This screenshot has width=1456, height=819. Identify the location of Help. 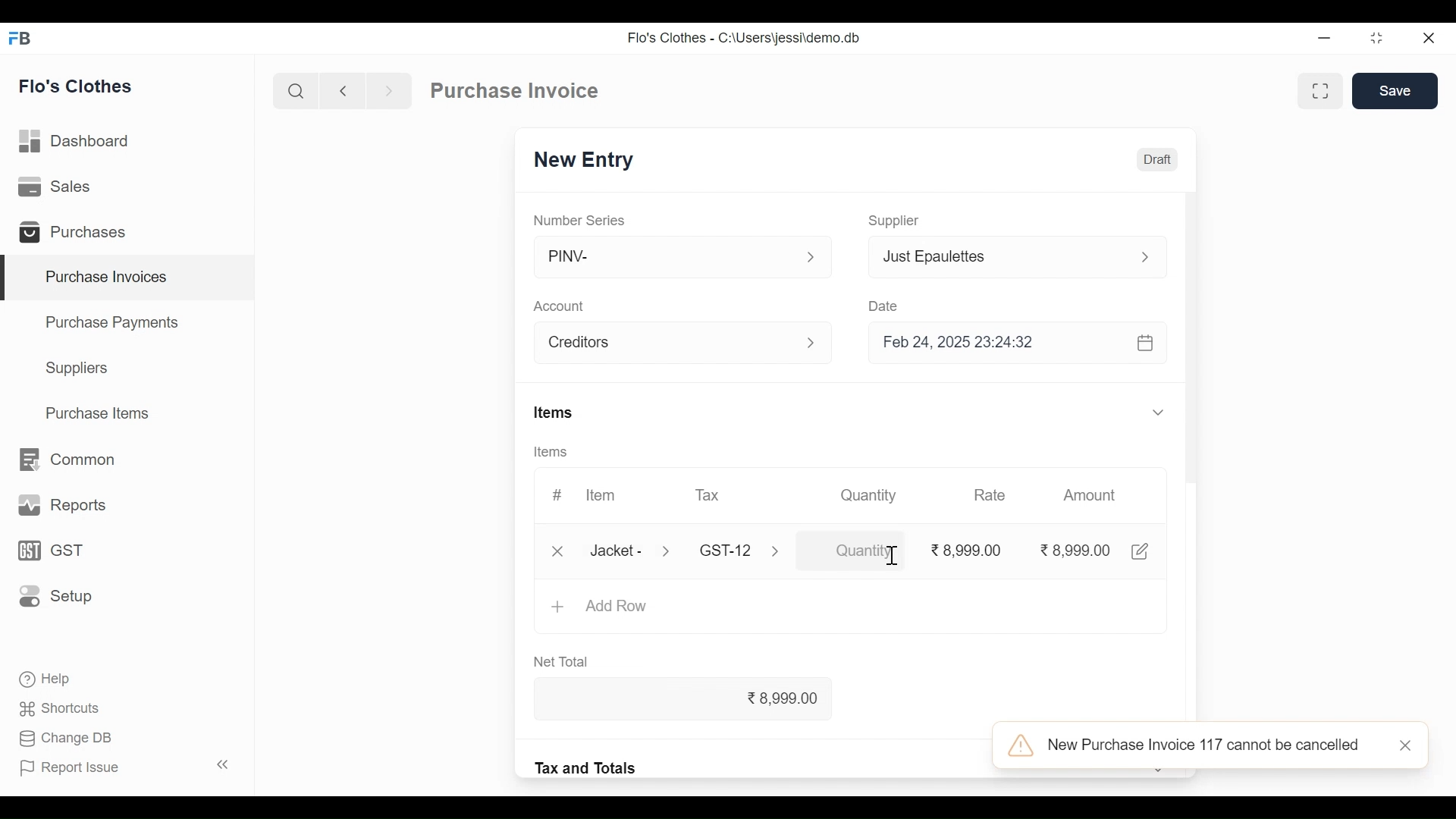
(50, 679).